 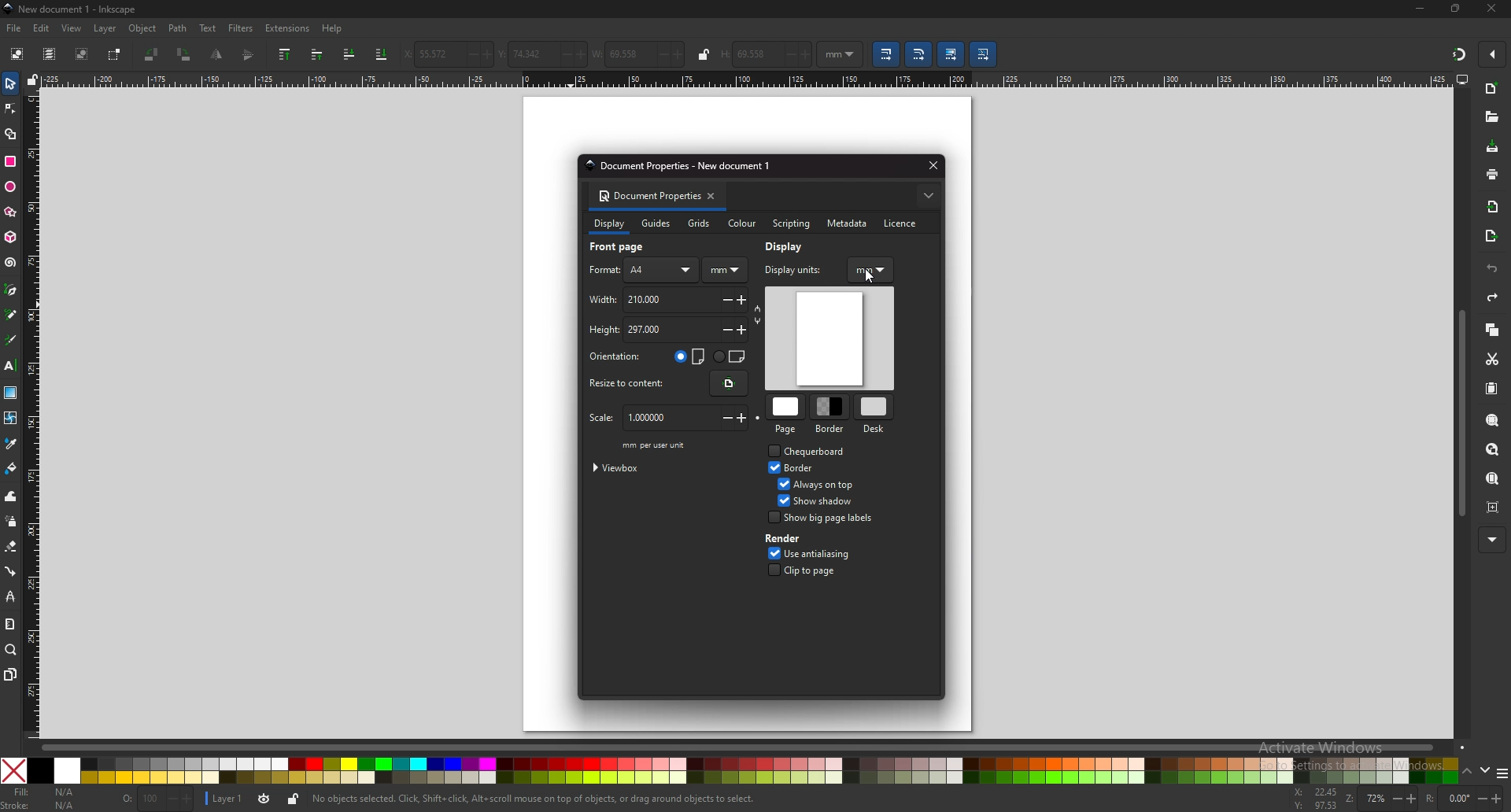 What do you see at coordinates (690, 356) in the screenshot?
I see `portrait` at bounding box center [690, 356].